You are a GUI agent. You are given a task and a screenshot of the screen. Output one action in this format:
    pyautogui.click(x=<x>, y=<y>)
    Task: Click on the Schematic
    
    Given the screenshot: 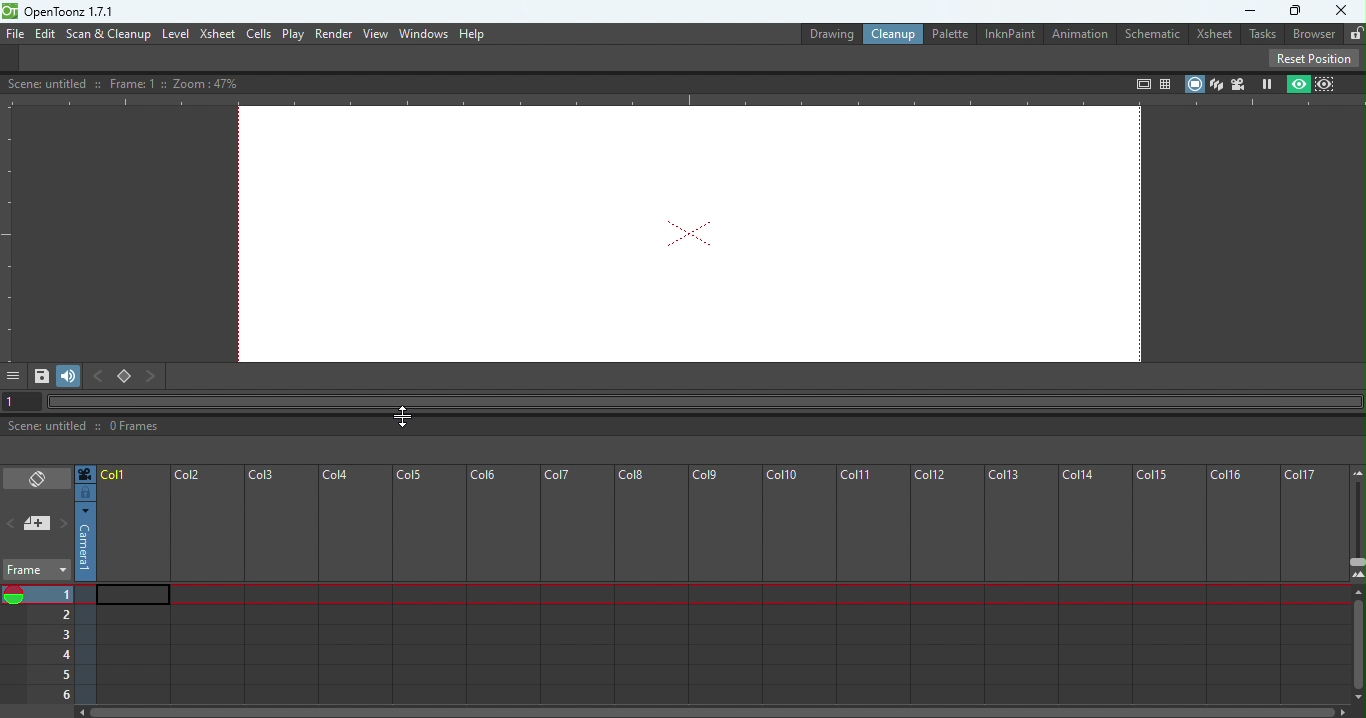 What is the action you would take?
    pyautogui.click(x=1155, y=32)
    